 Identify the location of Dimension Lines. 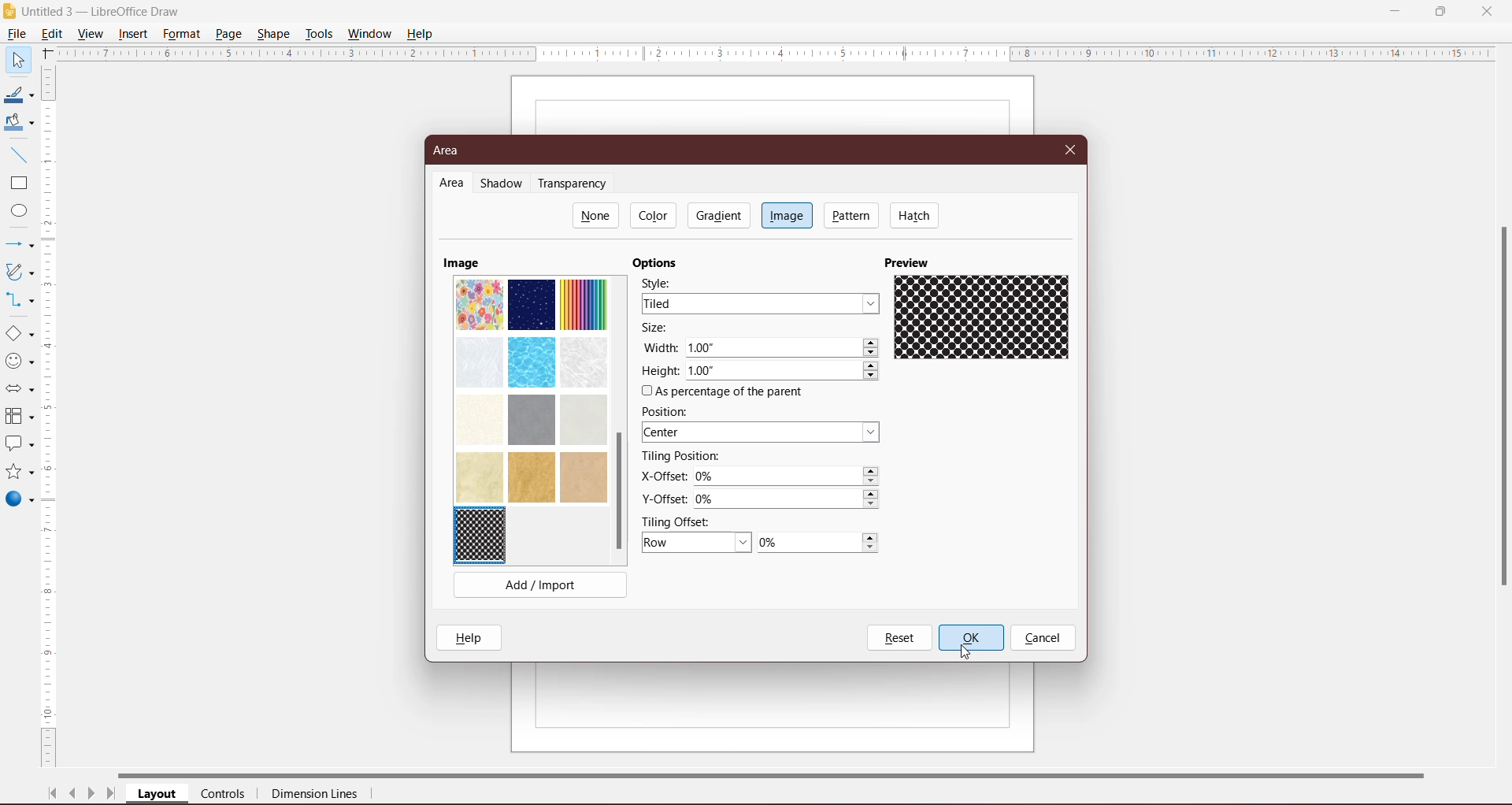
(316, 796).